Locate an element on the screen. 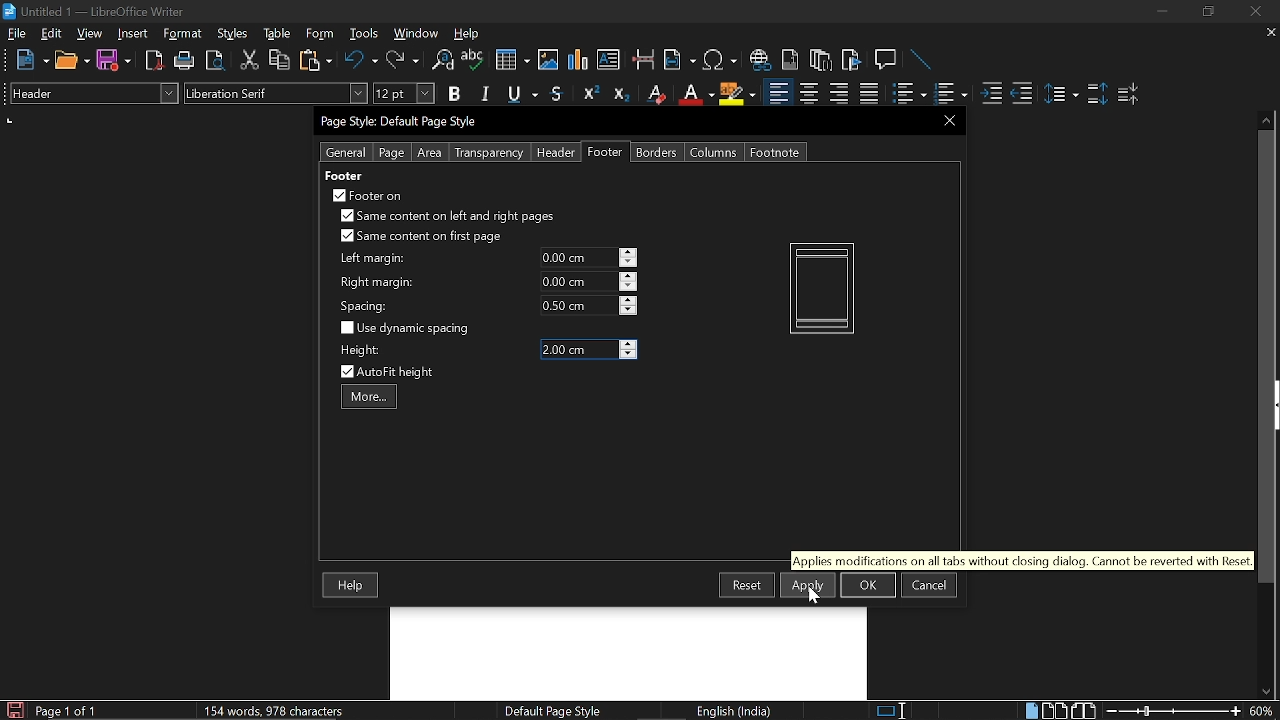 This screenshot has width=1280, height=720.  language is located at coordinates (736, 711).